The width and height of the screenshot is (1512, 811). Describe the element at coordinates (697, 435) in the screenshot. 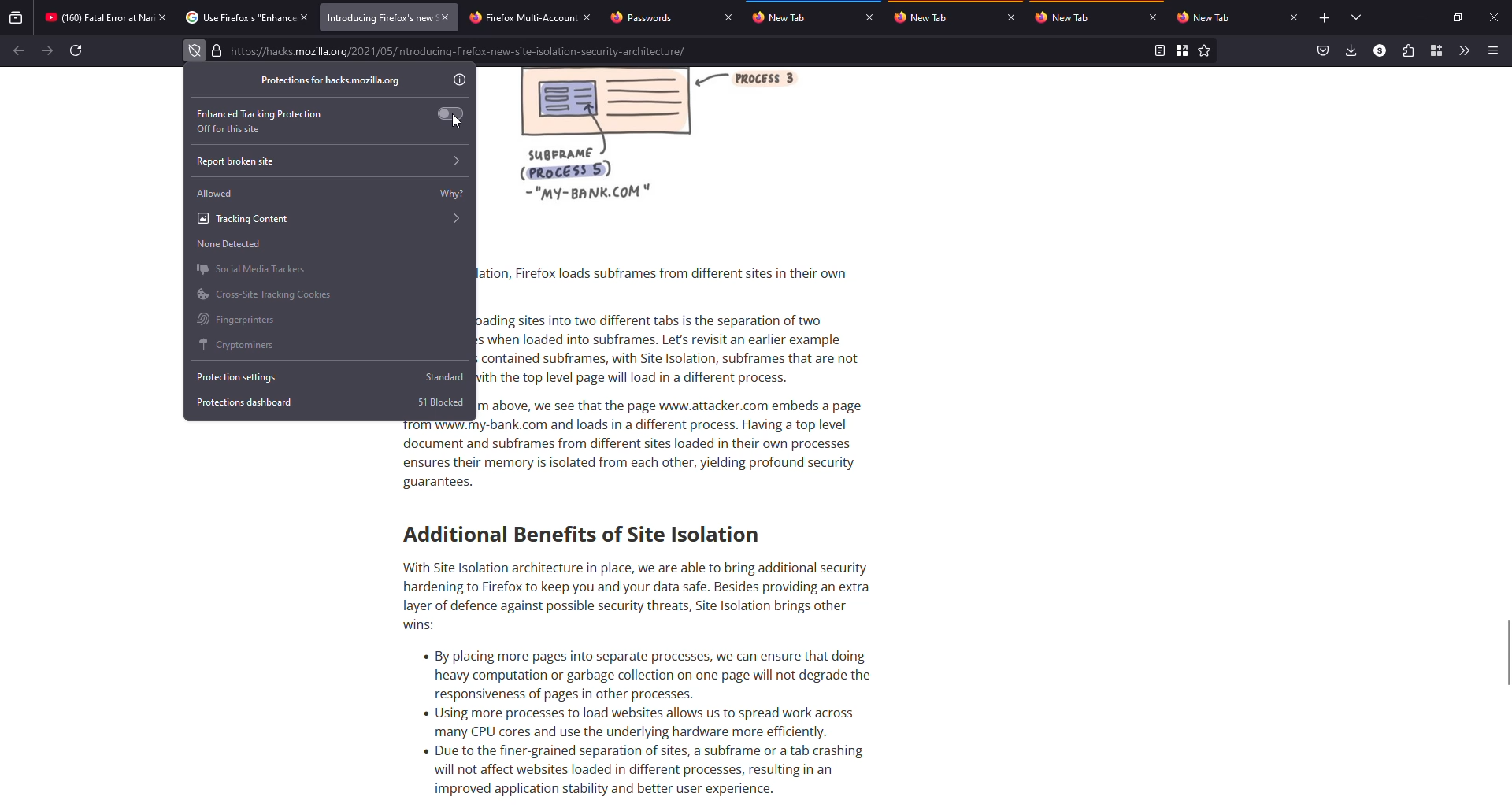

I see `website description` at that location.